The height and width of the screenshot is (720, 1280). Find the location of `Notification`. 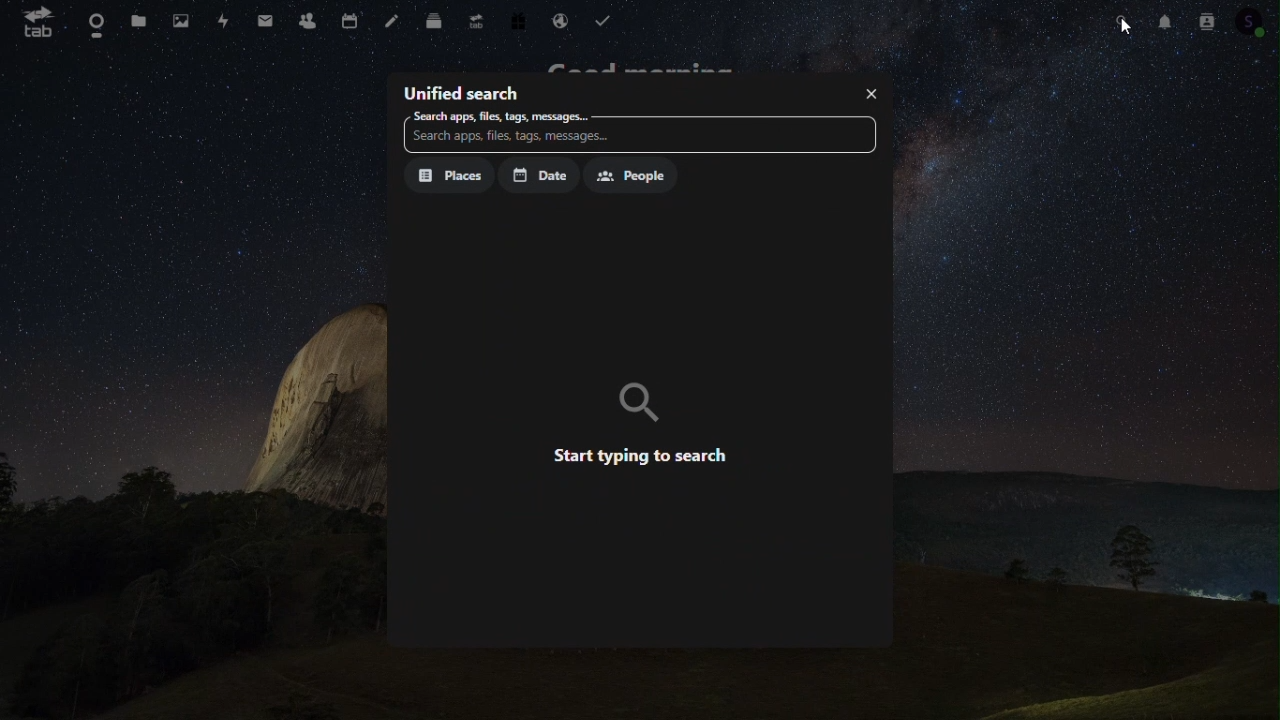

Notification is located at coordinates (1168, 22).